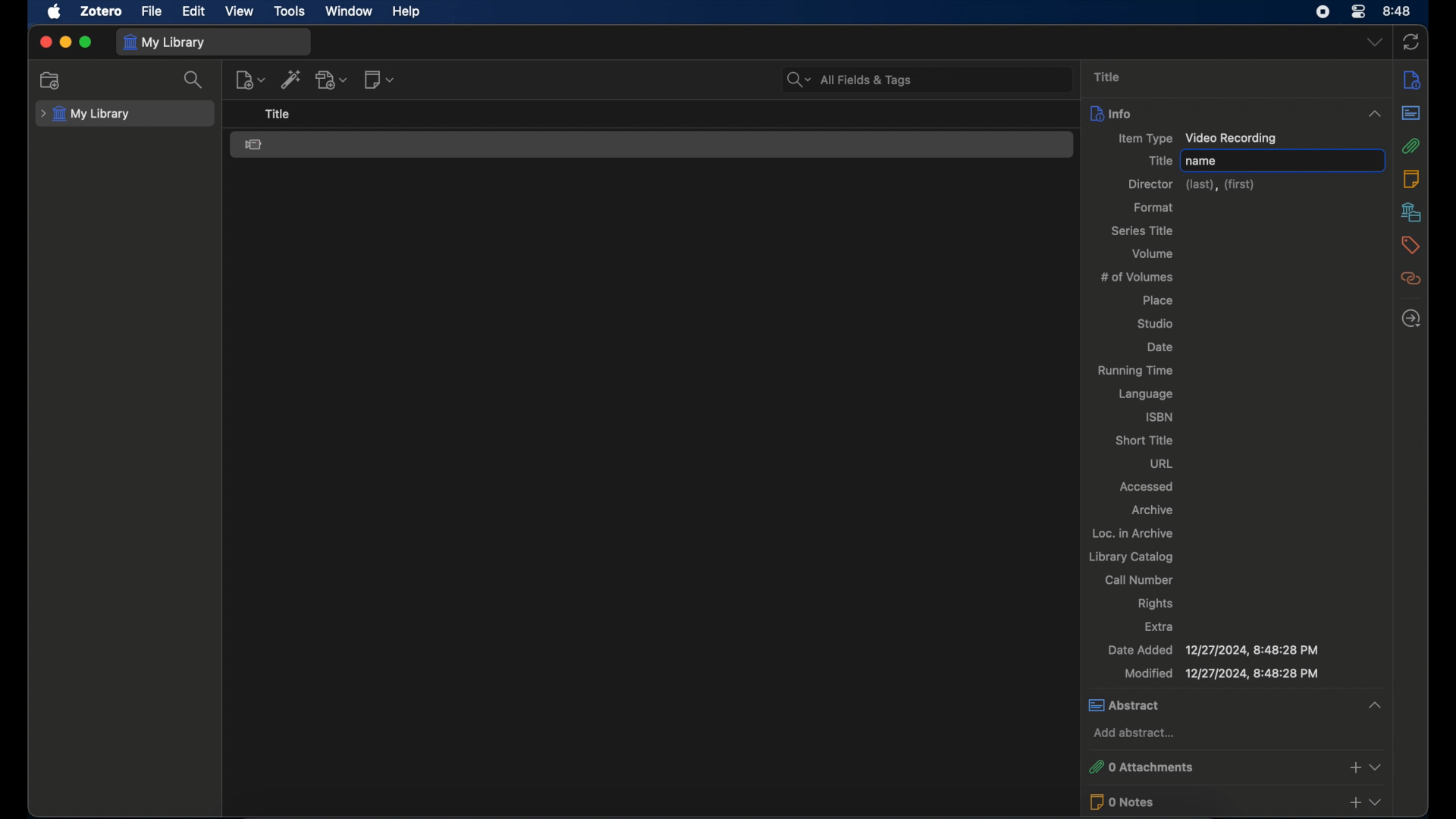  Describe the element at coordinates (1237, 113) in the screenshot. I see `info` at that location.